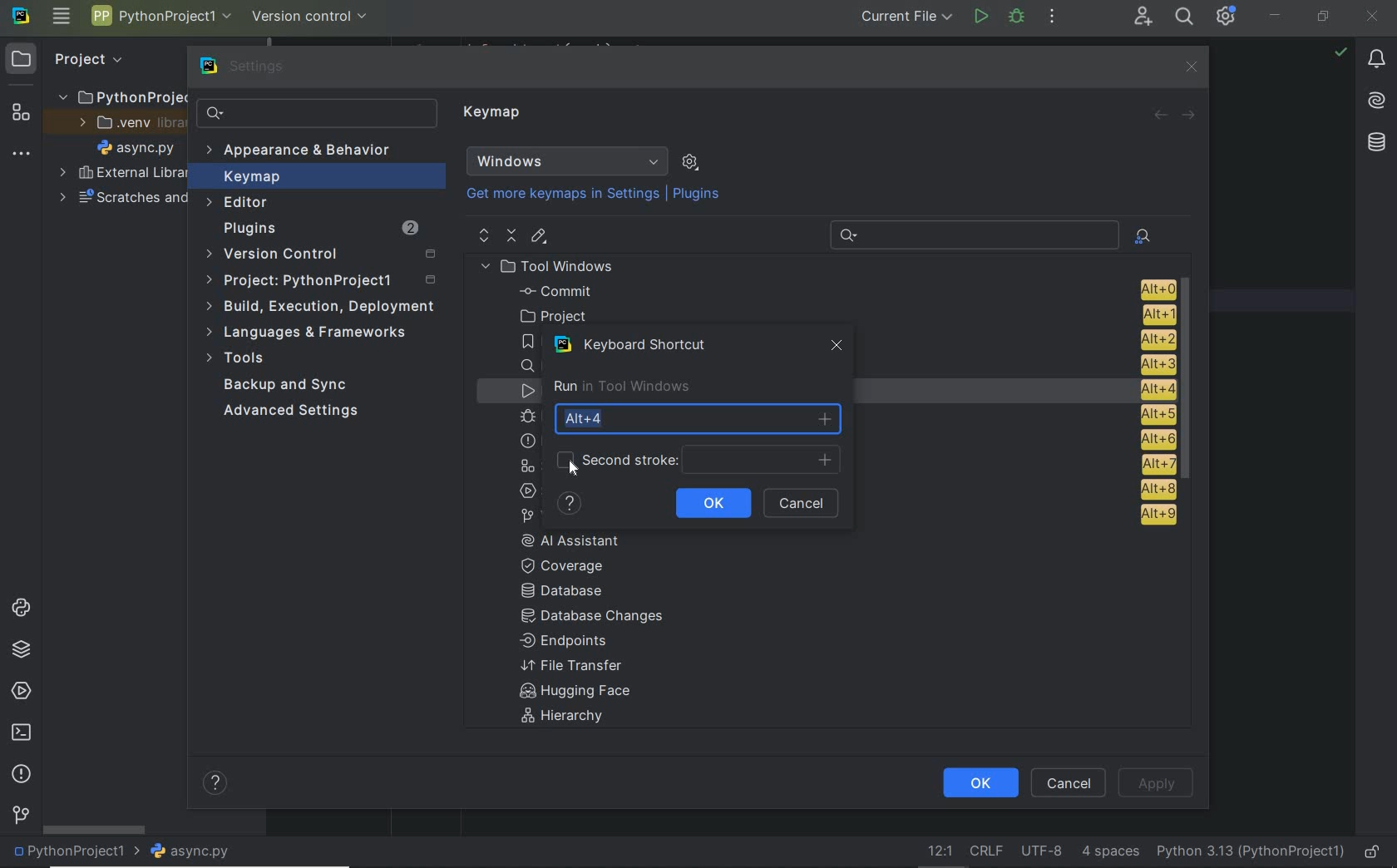 This screenshot has height=868, width=1397. I want to click on Debug, so click(1017, 17).